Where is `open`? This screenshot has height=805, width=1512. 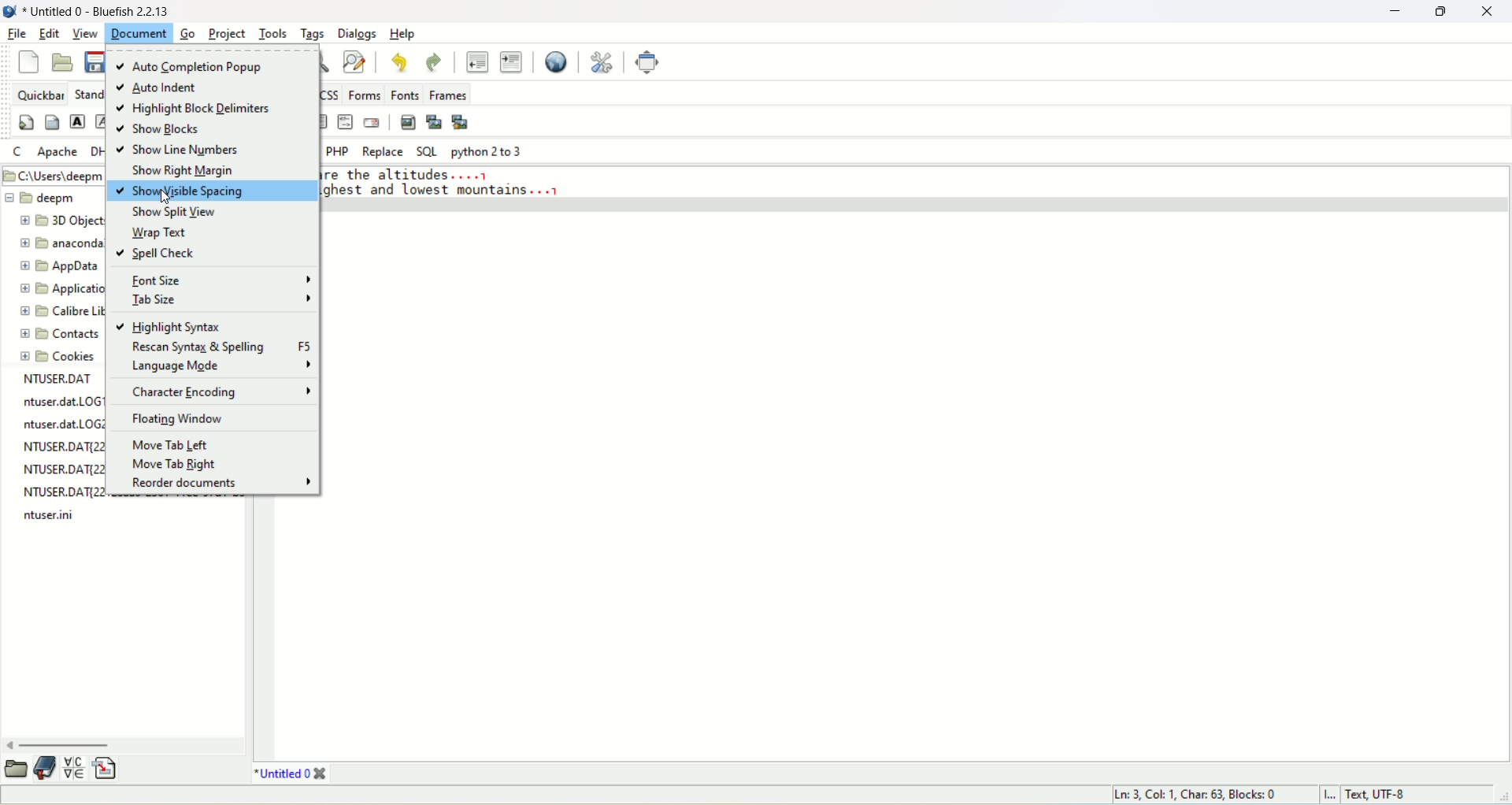
open is located at coordinates (64, 63).